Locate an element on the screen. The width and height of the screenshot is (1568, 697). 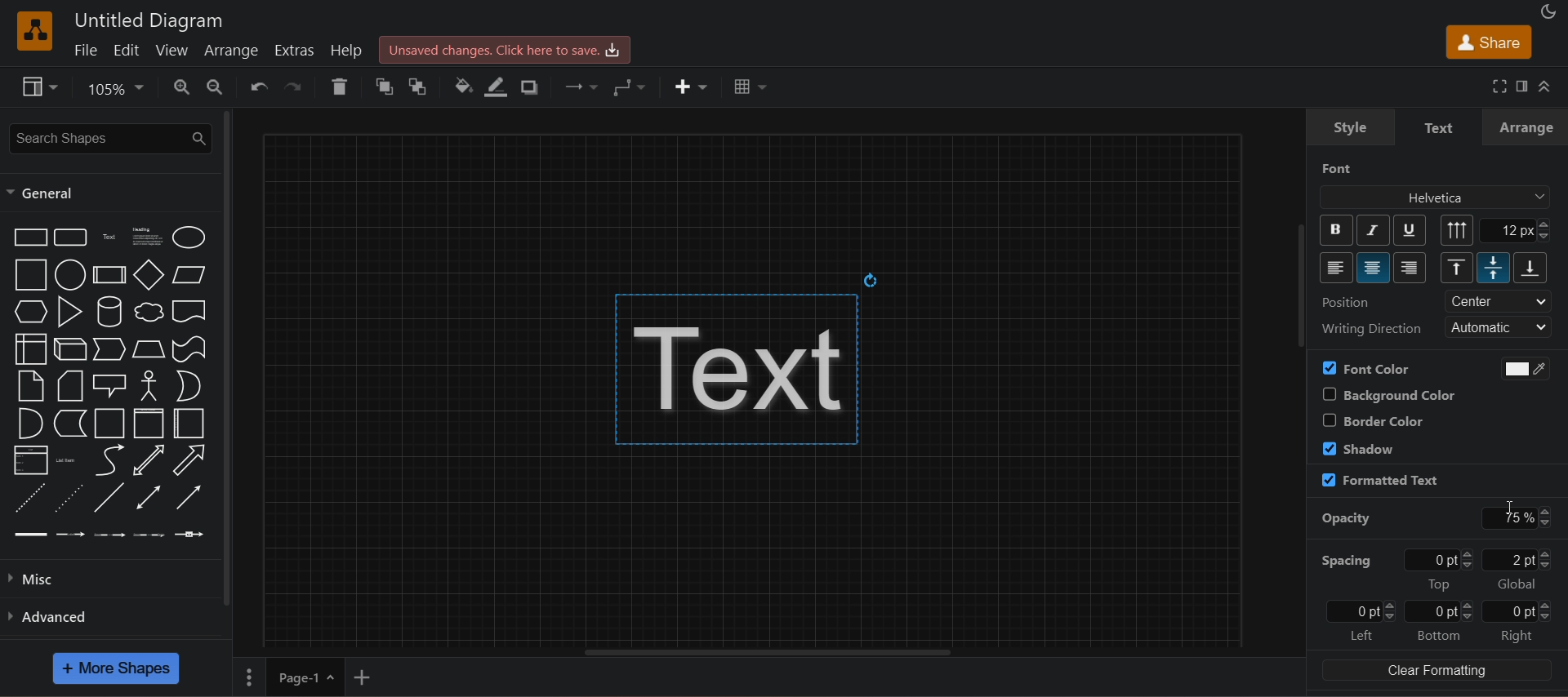
shadow is located at coordinates (1359, 447).